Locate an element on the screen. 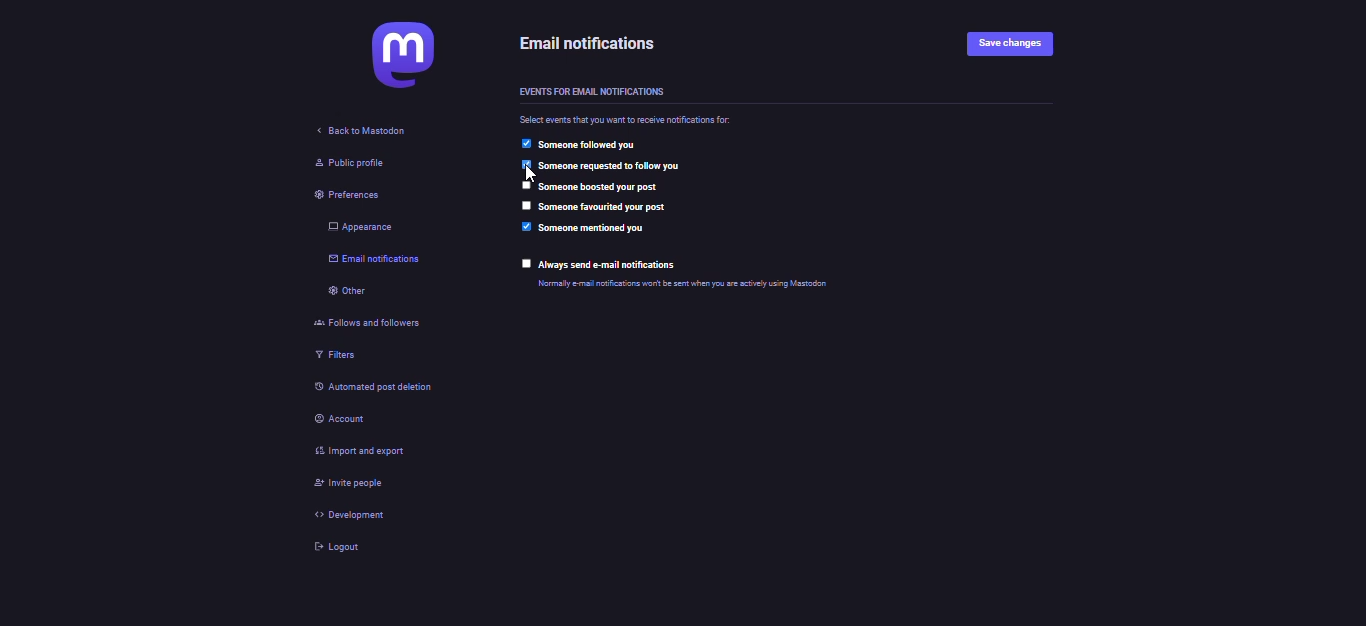 Image resolution: width=1366 pixels, height=626 pixels. email notifications is located at coordinates (372, 260).